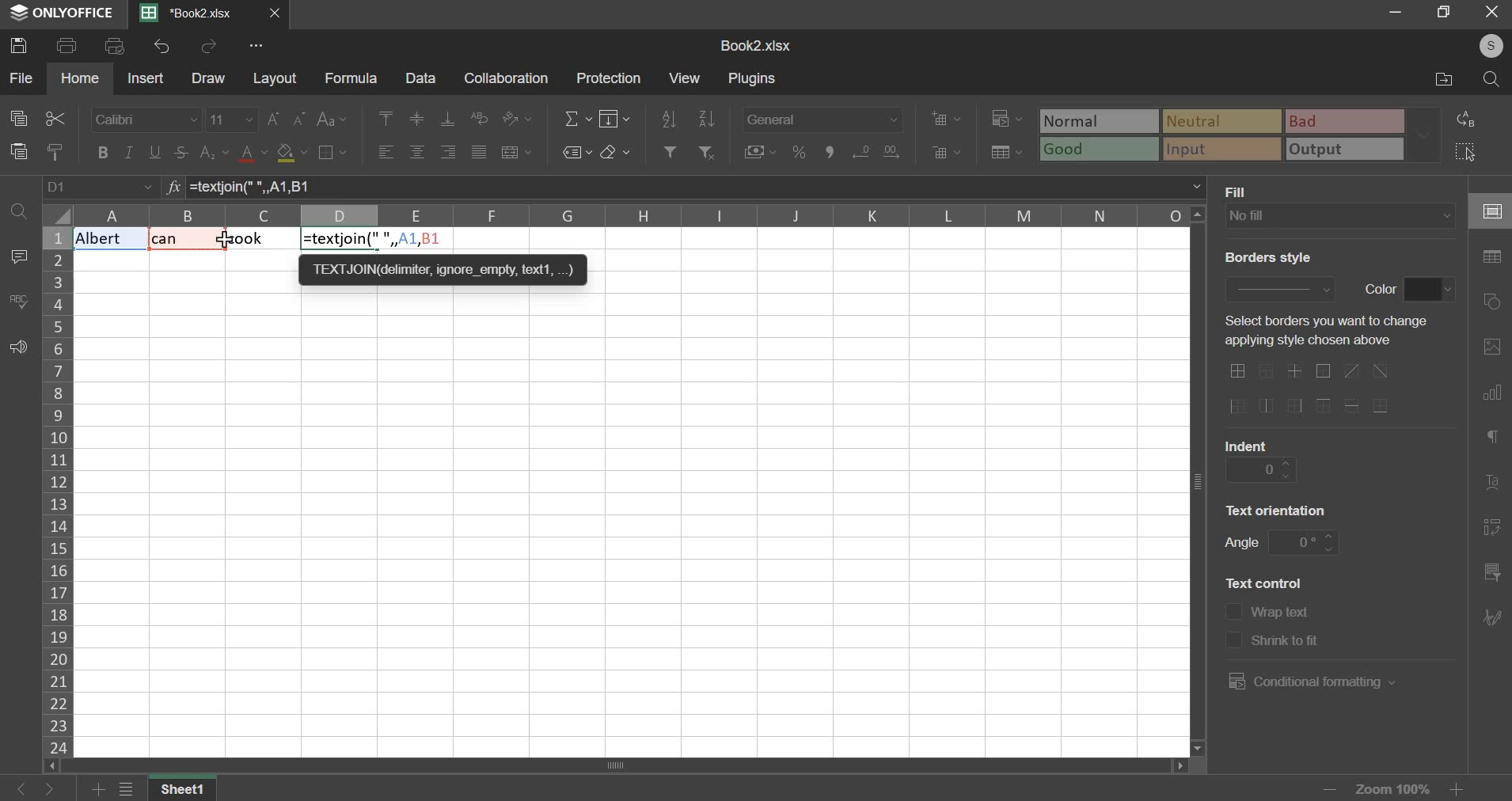 The height and width of the screenshot is (801, 1512). I want to click on close, so click(279, 15).